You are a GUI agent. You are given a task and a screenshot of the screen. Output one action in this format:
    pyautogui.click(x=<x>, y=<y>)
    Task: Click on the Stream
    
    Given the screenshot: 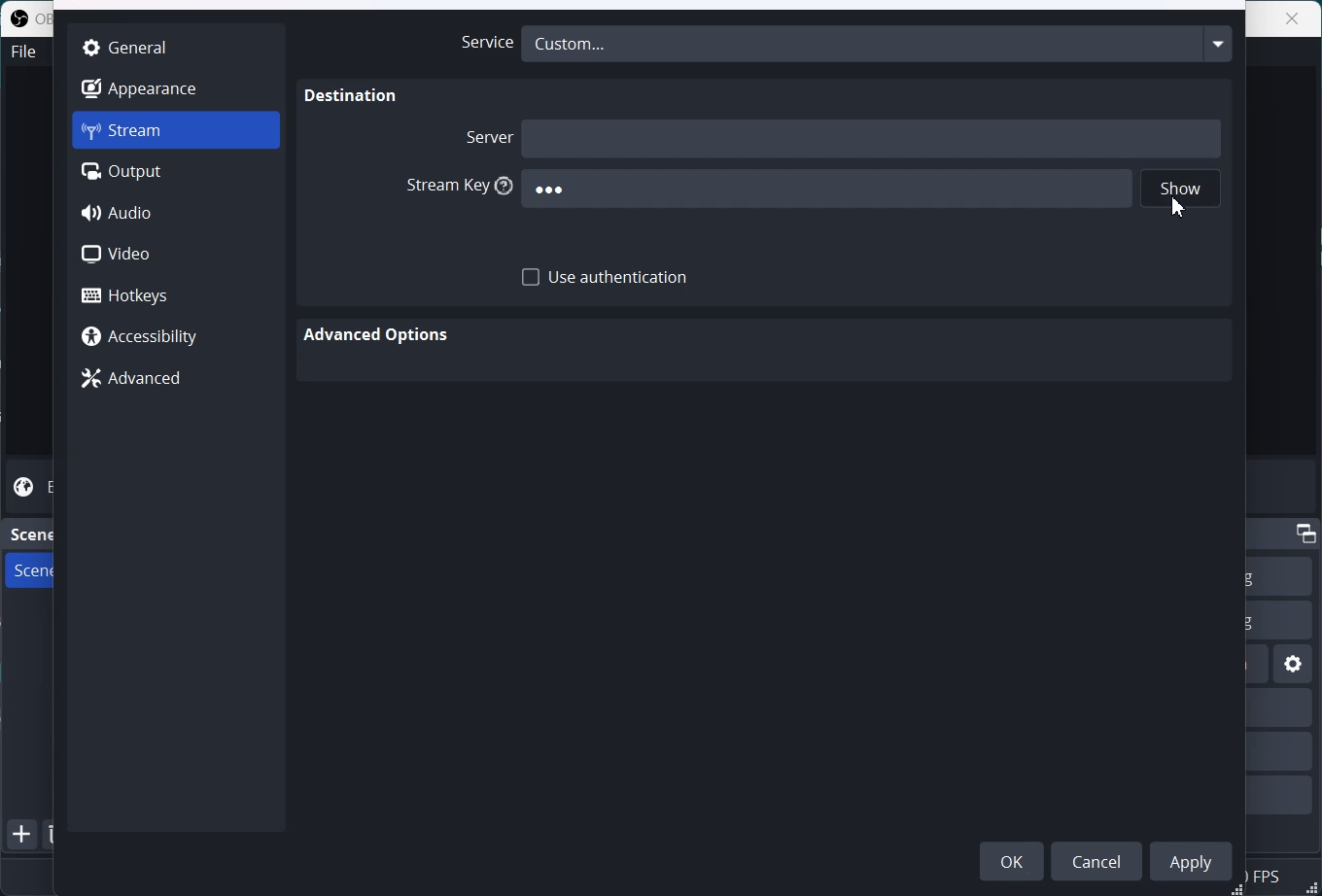 What is the action you would take?
    pyautogui.click(x=176, y=130)
    